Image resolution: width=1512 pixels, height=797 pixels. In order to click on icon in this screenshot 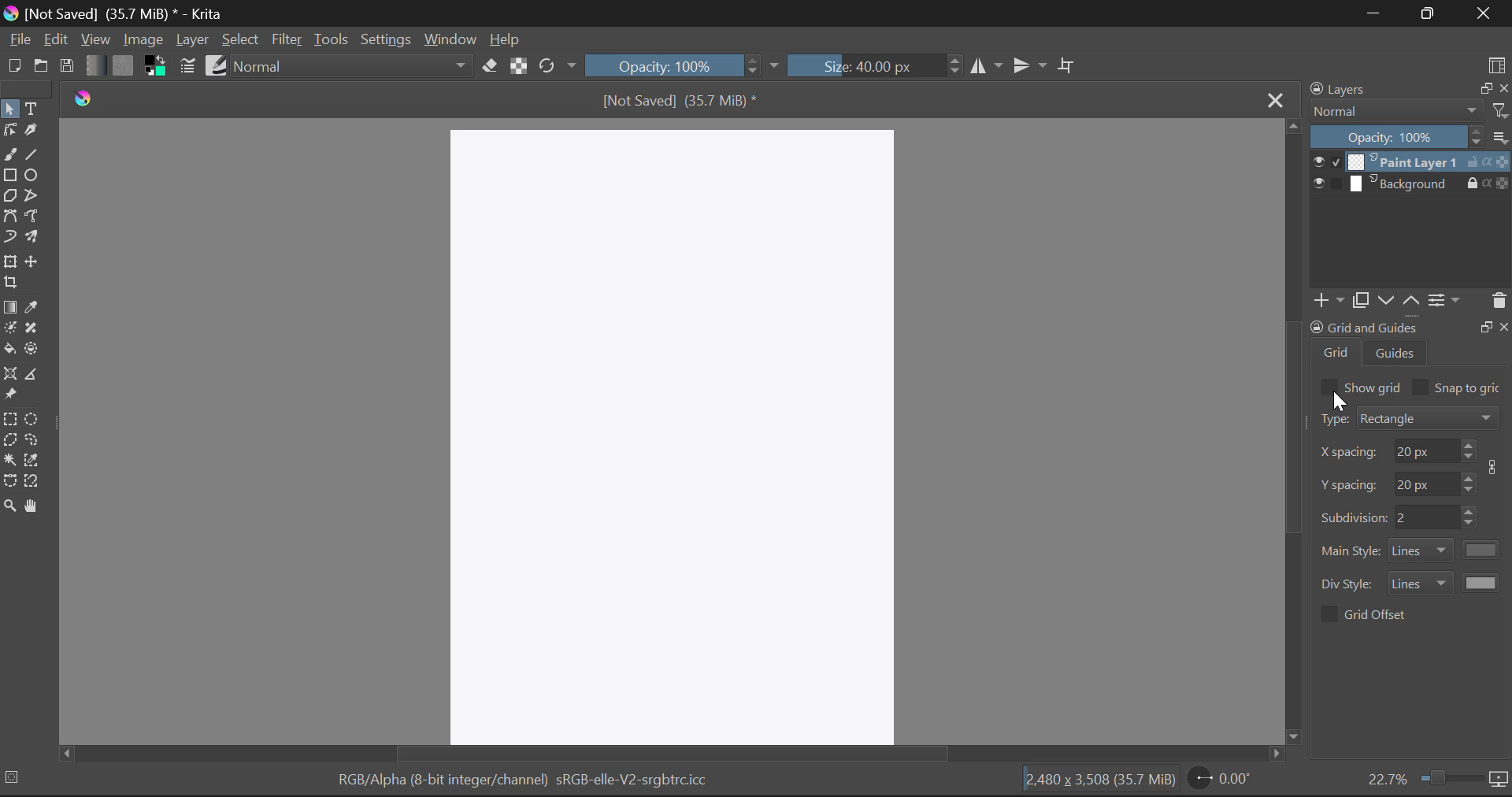, I will do `click(1496, 467)`.